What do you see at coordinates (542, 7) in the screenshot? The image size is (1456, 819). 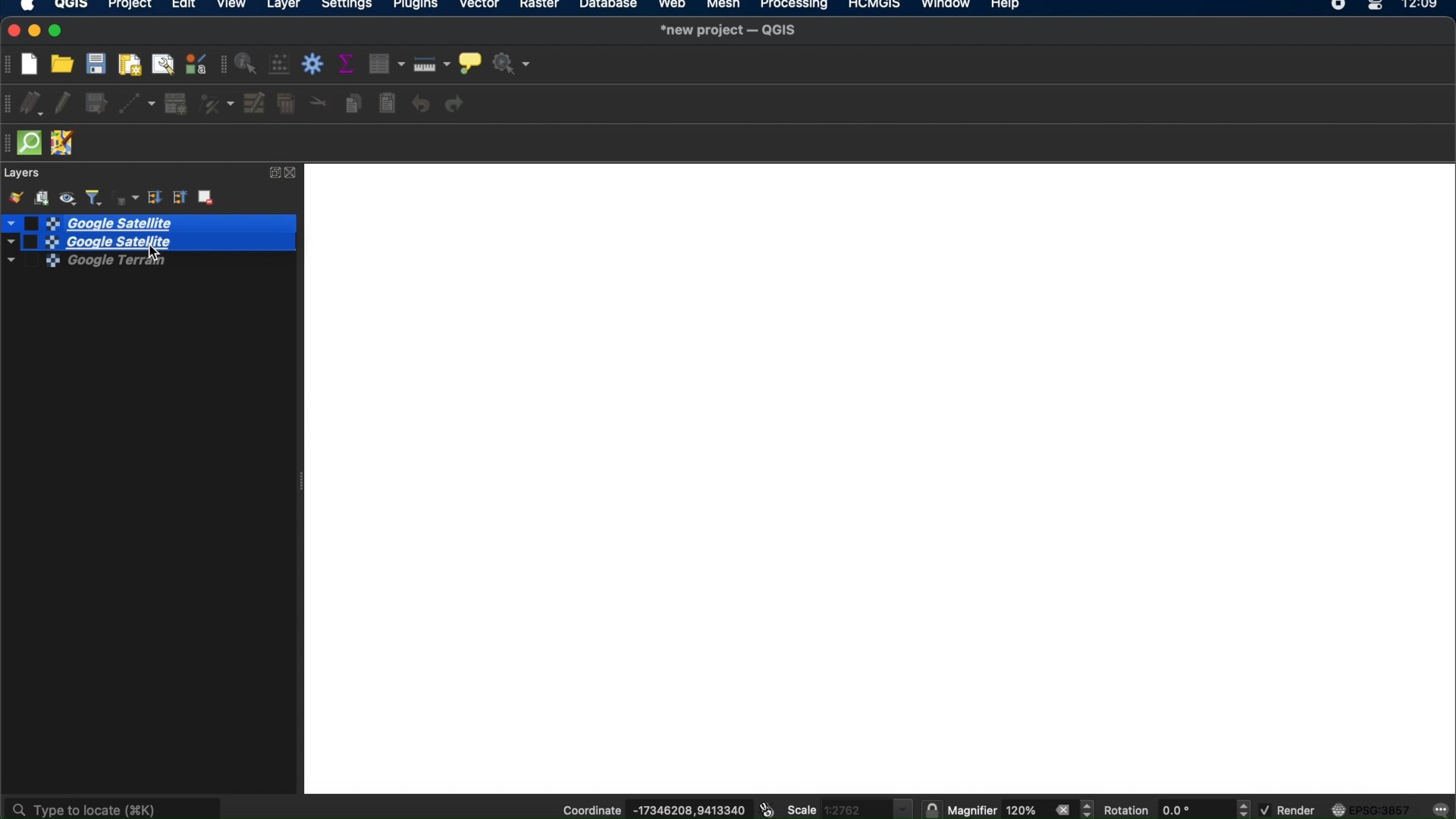 I see `raster` at bounding box center [542, 7].